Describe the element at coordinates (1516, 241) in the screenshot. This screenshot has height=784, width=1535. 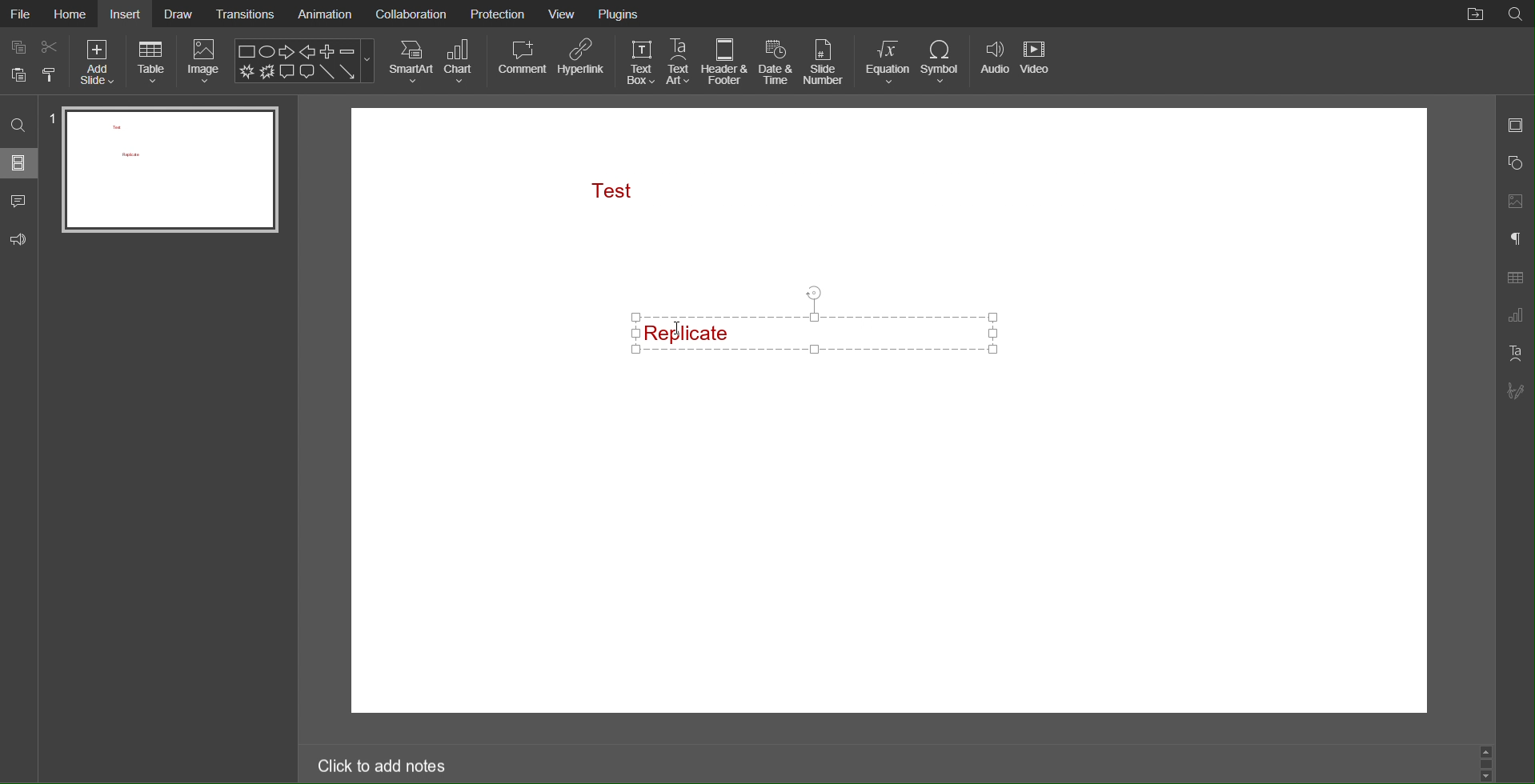
I see `Paragraph Settings` at that location.